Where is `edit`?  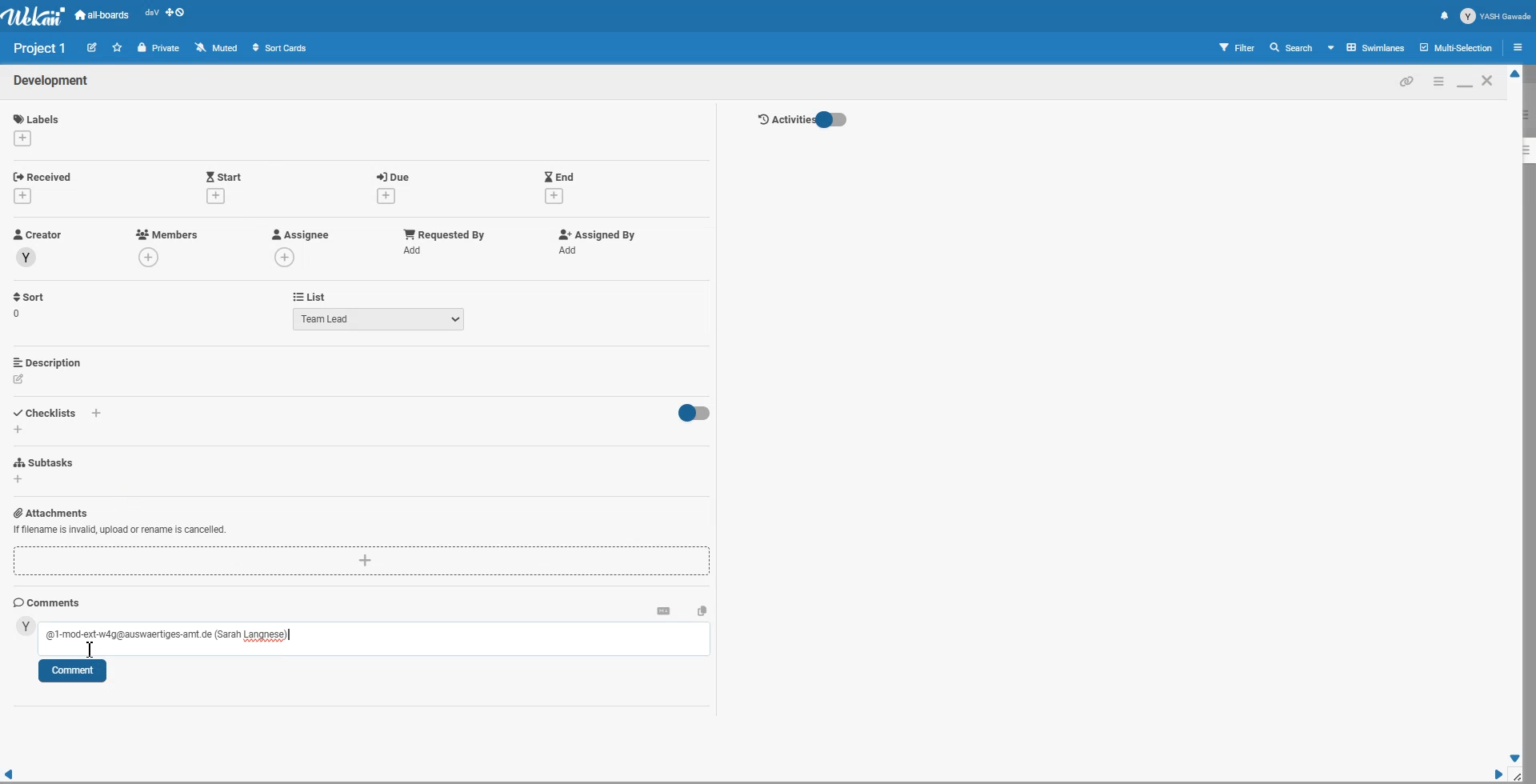 edit is located at coordinates (19, 379).